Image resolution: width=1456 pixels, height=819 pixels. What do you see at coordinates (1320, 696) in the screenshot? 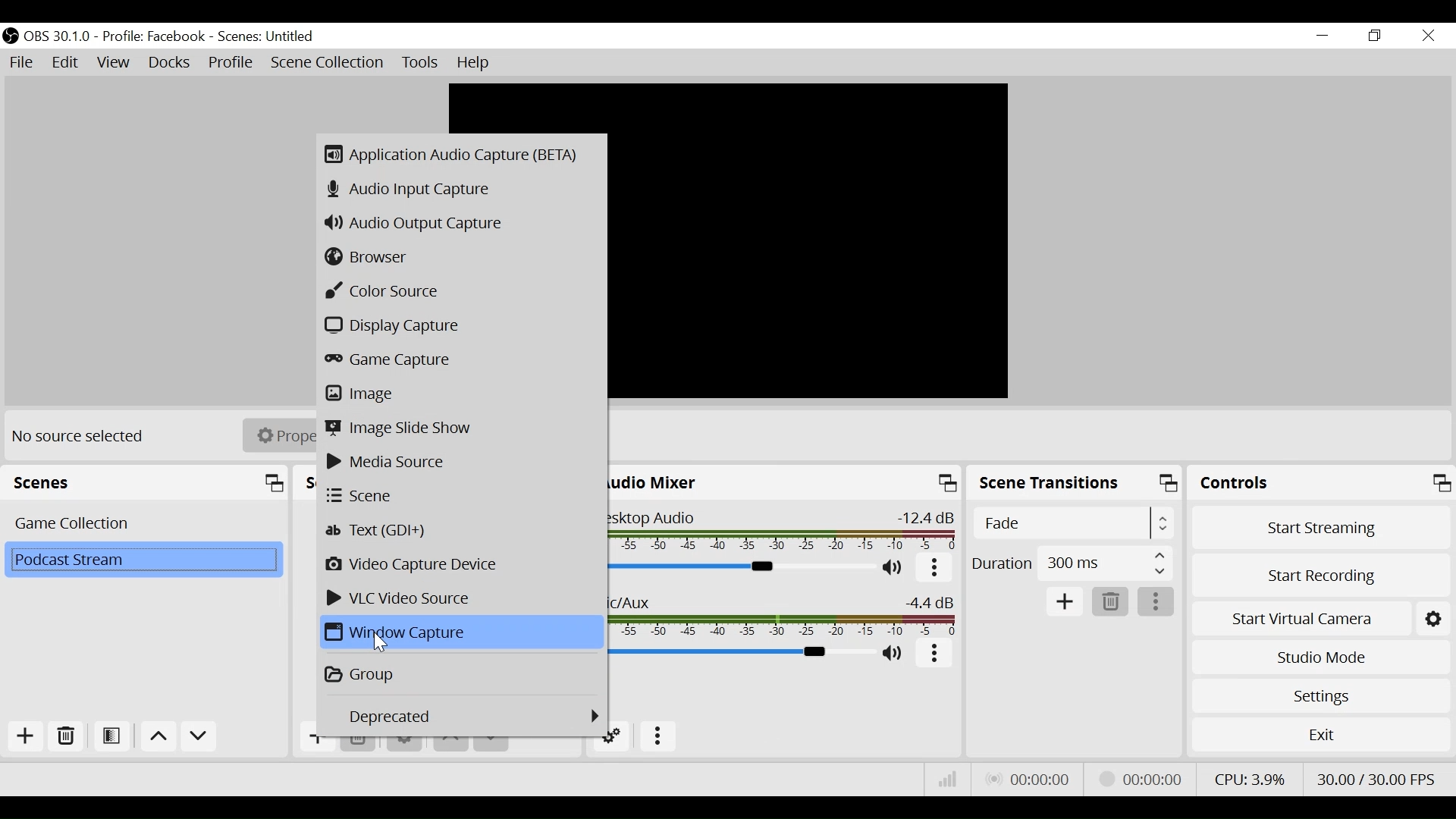
I see `Settings` at bounding box center [1320, 696].